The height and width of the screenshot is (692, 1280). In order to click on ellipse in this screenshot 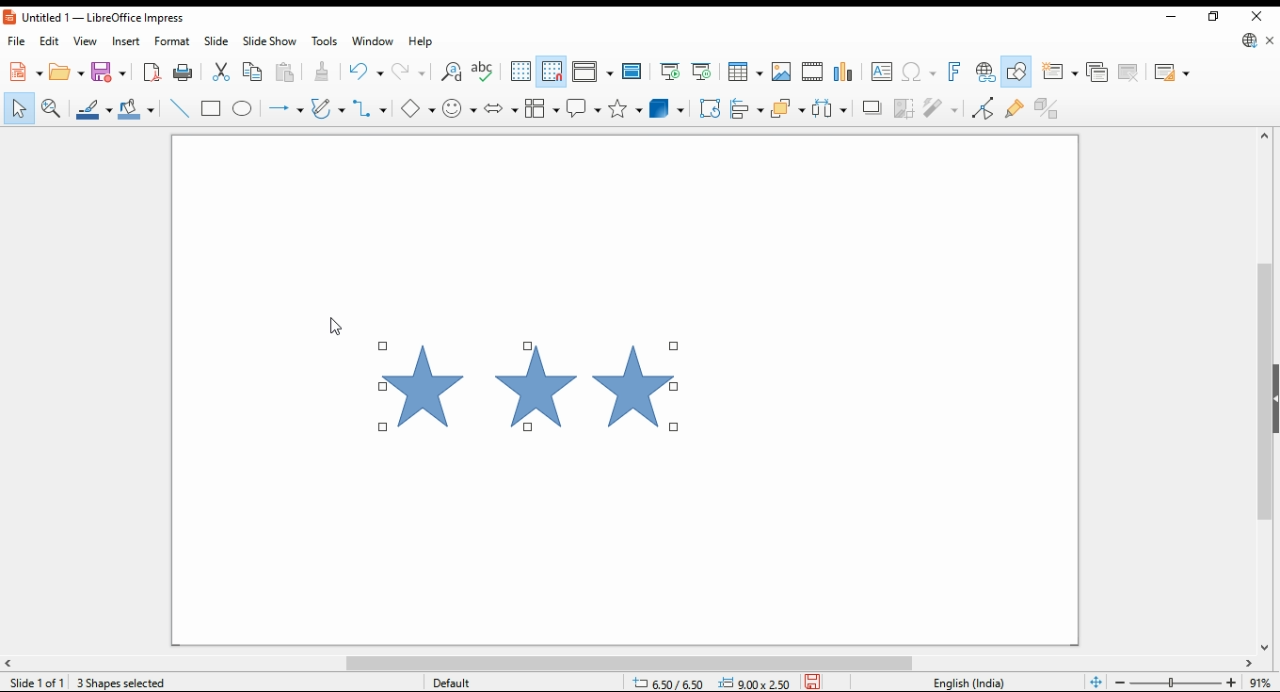, I will do `click(242, 108)`.